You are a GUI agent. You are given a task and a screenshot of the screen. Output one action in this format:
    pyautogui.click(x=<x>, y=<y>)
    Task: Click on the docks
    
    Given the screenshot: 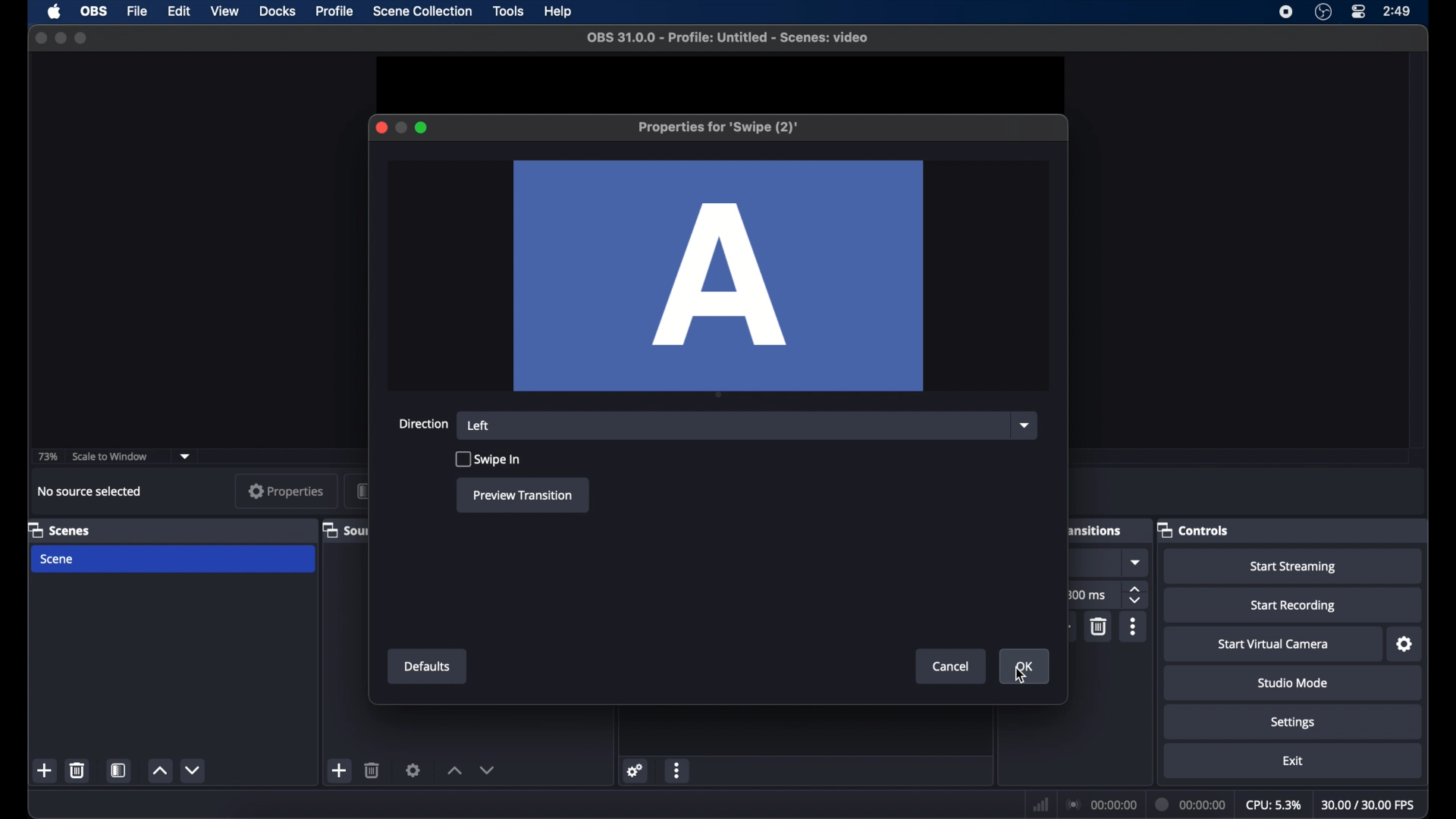 What is the action you would take?
    pyautogui.click(x=278, y=11)
    